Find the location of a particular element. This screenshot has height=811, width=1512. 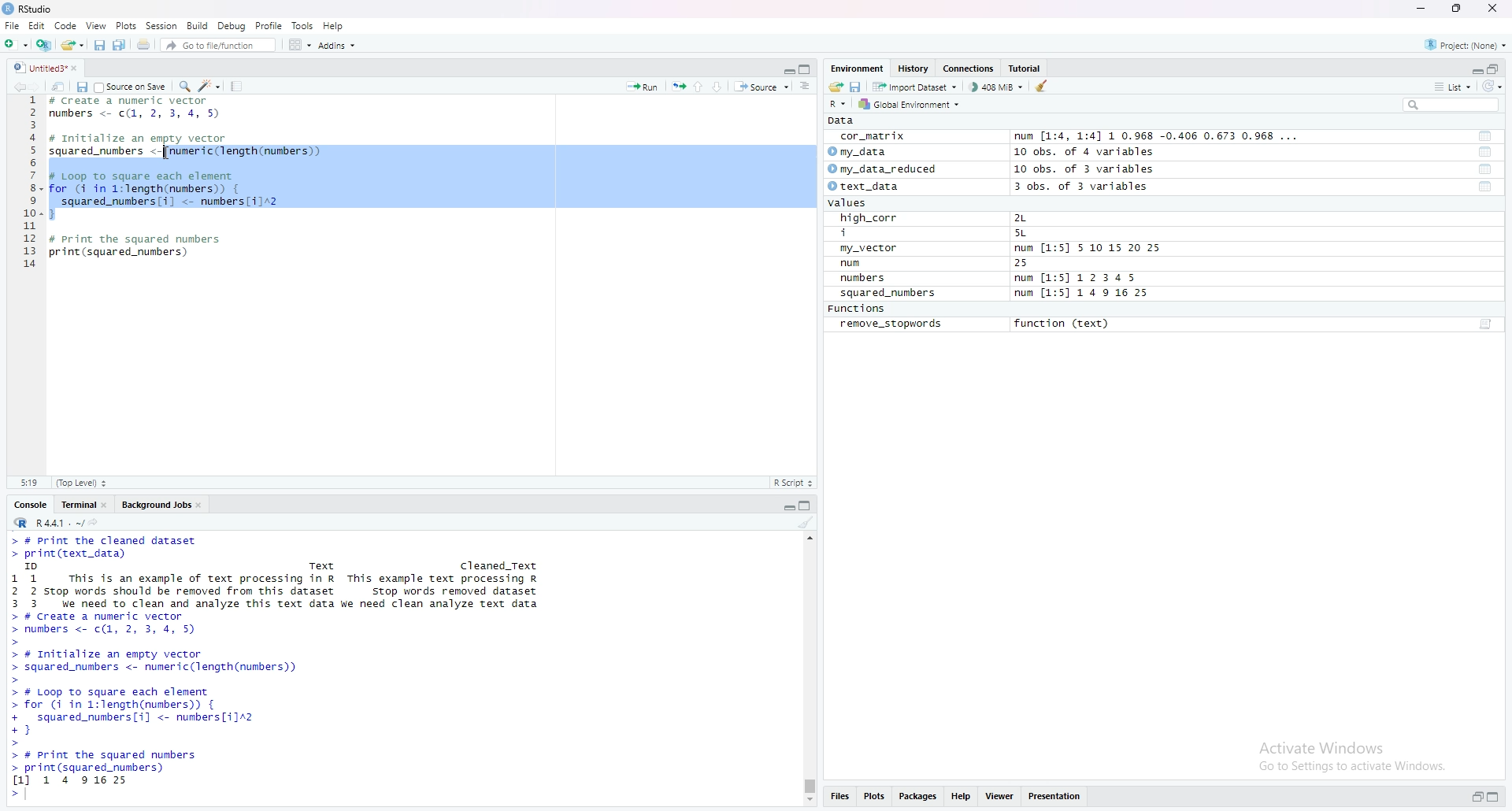

values is located at coordinates (852, 204).